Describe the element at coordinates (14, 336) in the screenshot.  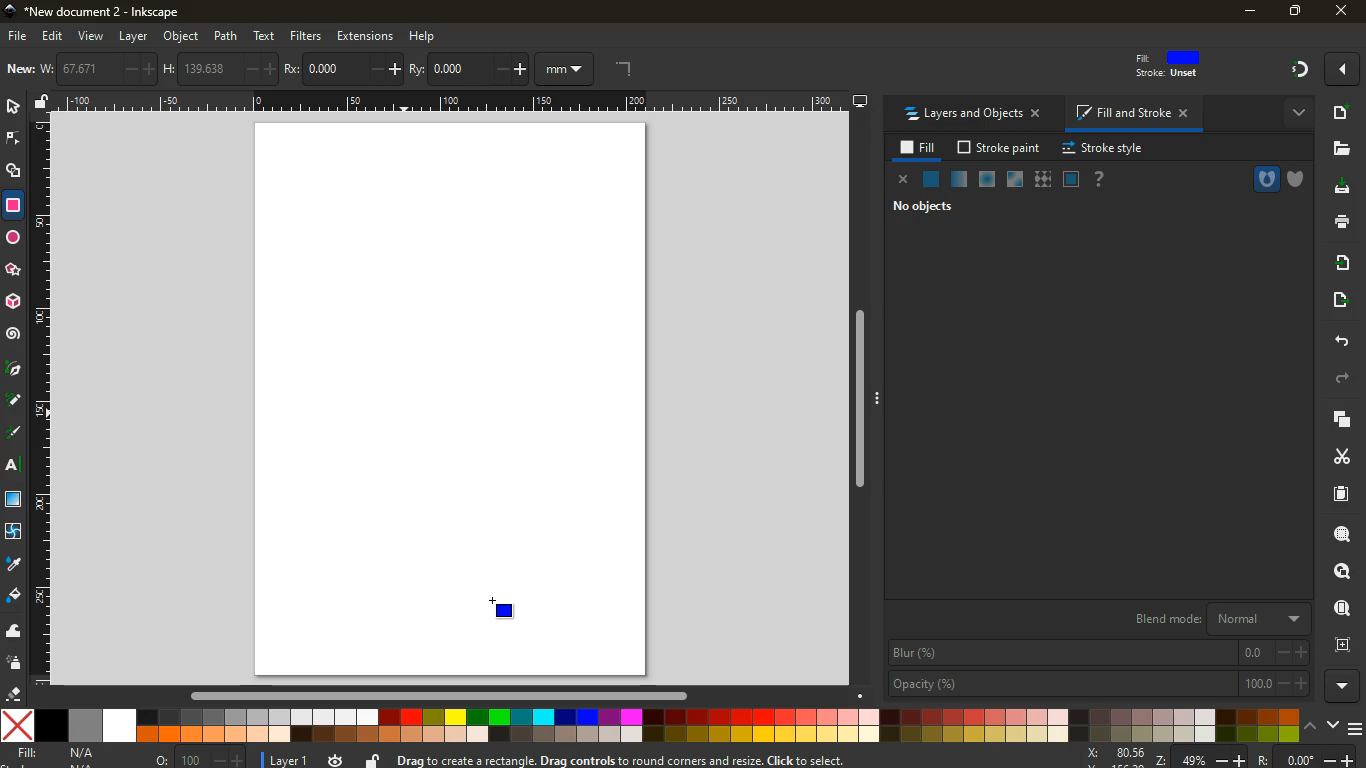
I see `spiral` at that location.